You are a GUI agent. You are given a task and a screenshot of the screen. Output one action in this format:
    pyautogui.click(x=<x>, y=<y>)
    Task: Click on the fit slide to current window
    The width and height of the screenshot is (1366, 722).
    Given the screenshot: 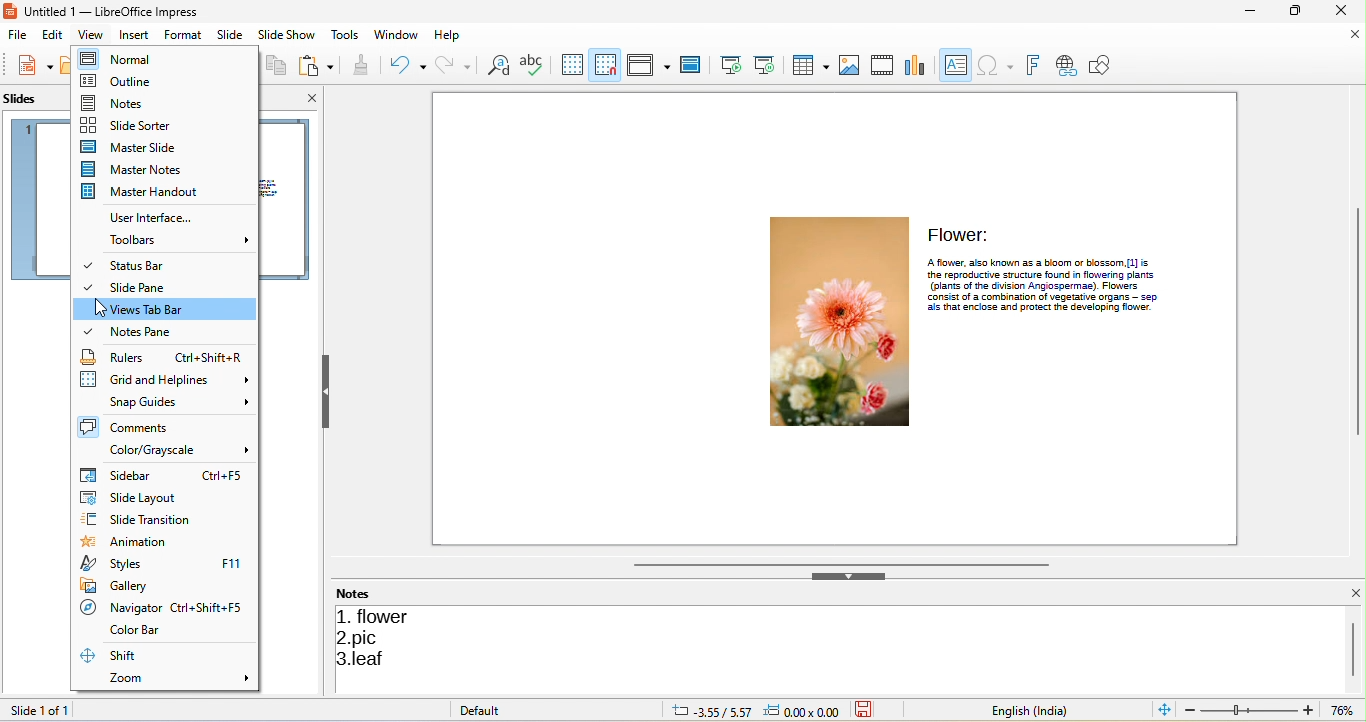 What is the action you would take?
    pyautogui.click(x=1162, y=710)
    